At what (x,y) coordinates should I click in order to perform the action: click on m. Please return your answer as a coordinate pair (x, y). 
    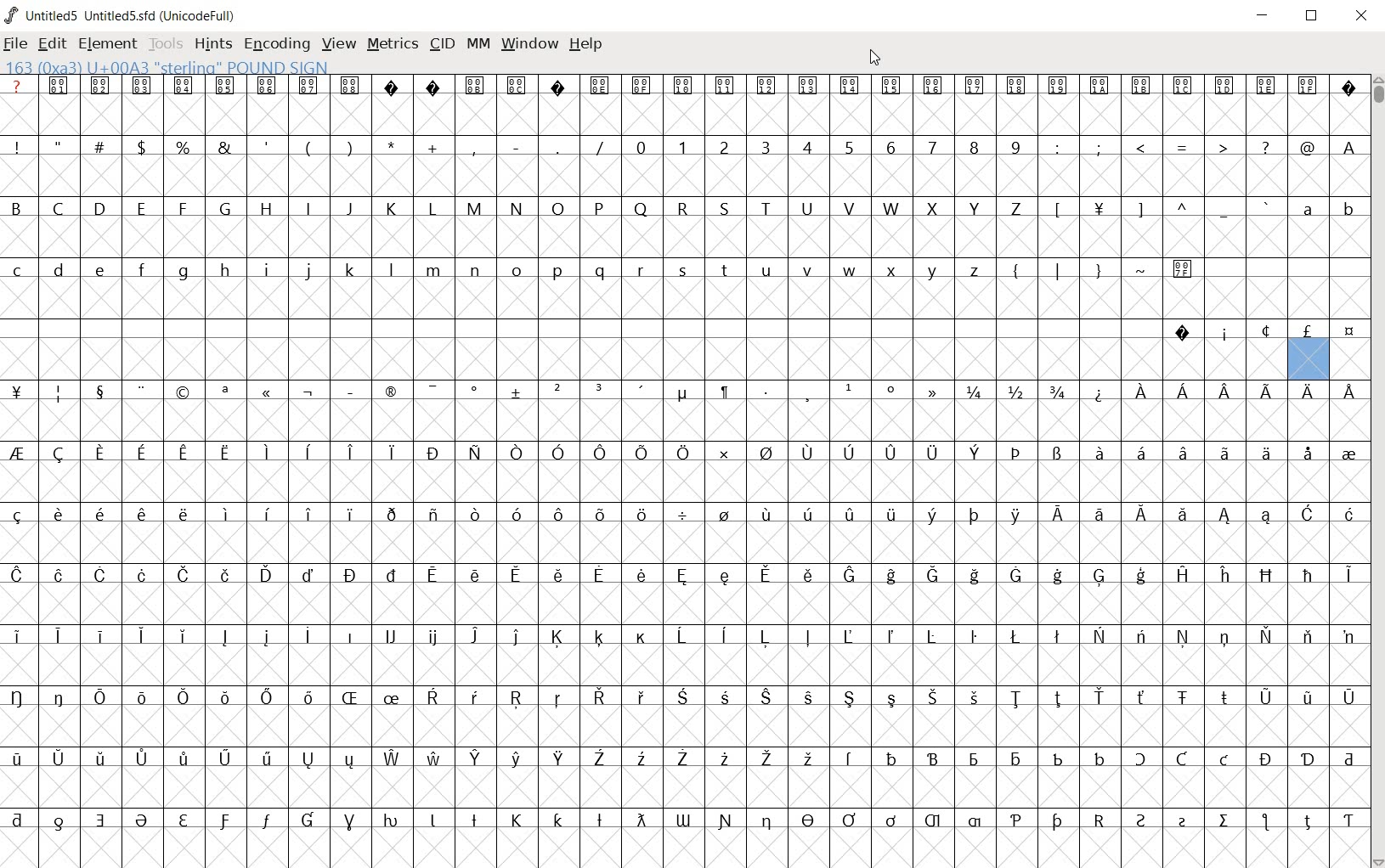
    Looking at the image, I should click on (433, 270).